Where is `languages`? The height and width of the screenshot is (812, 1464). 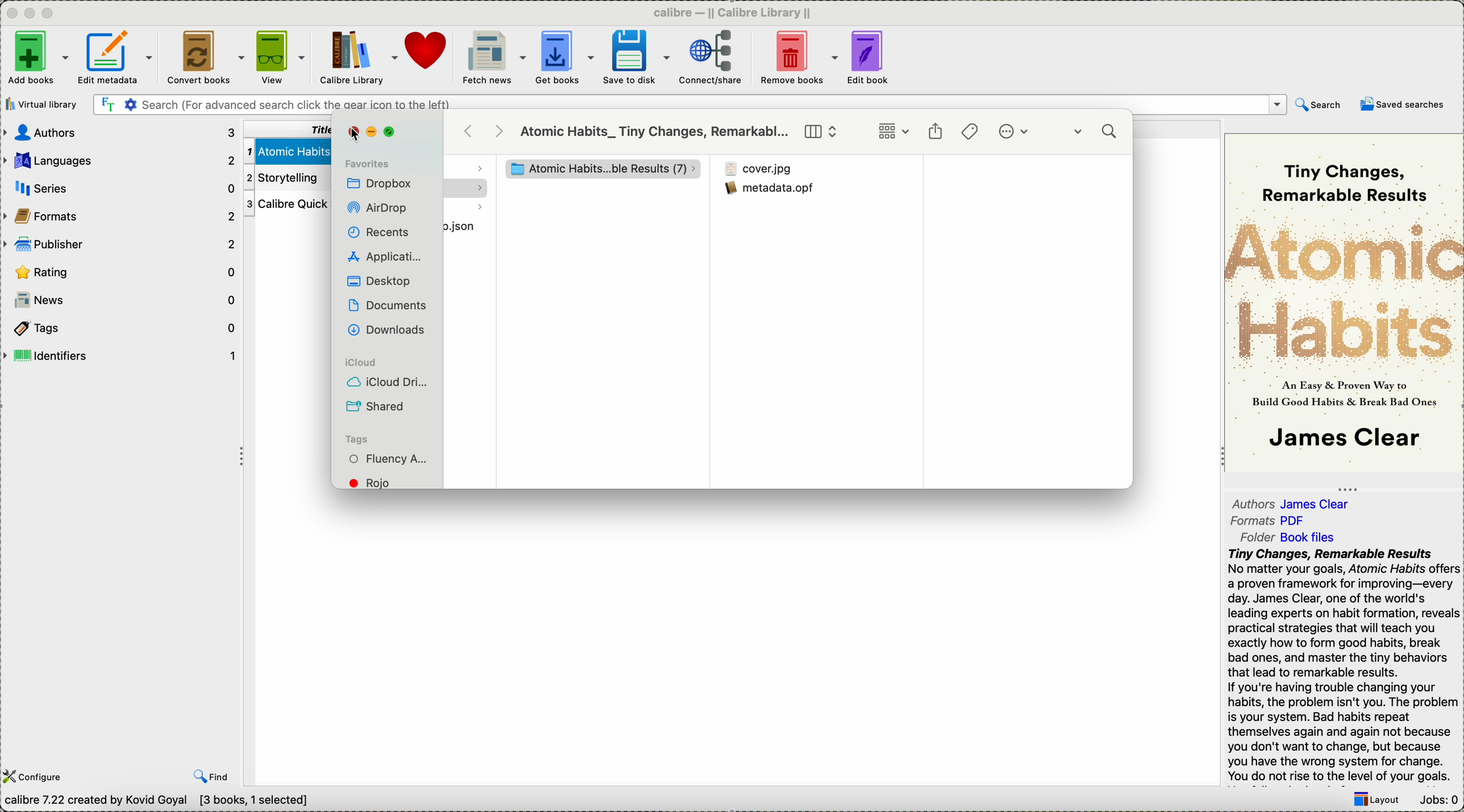 languages is located at coordinates (120, 158).